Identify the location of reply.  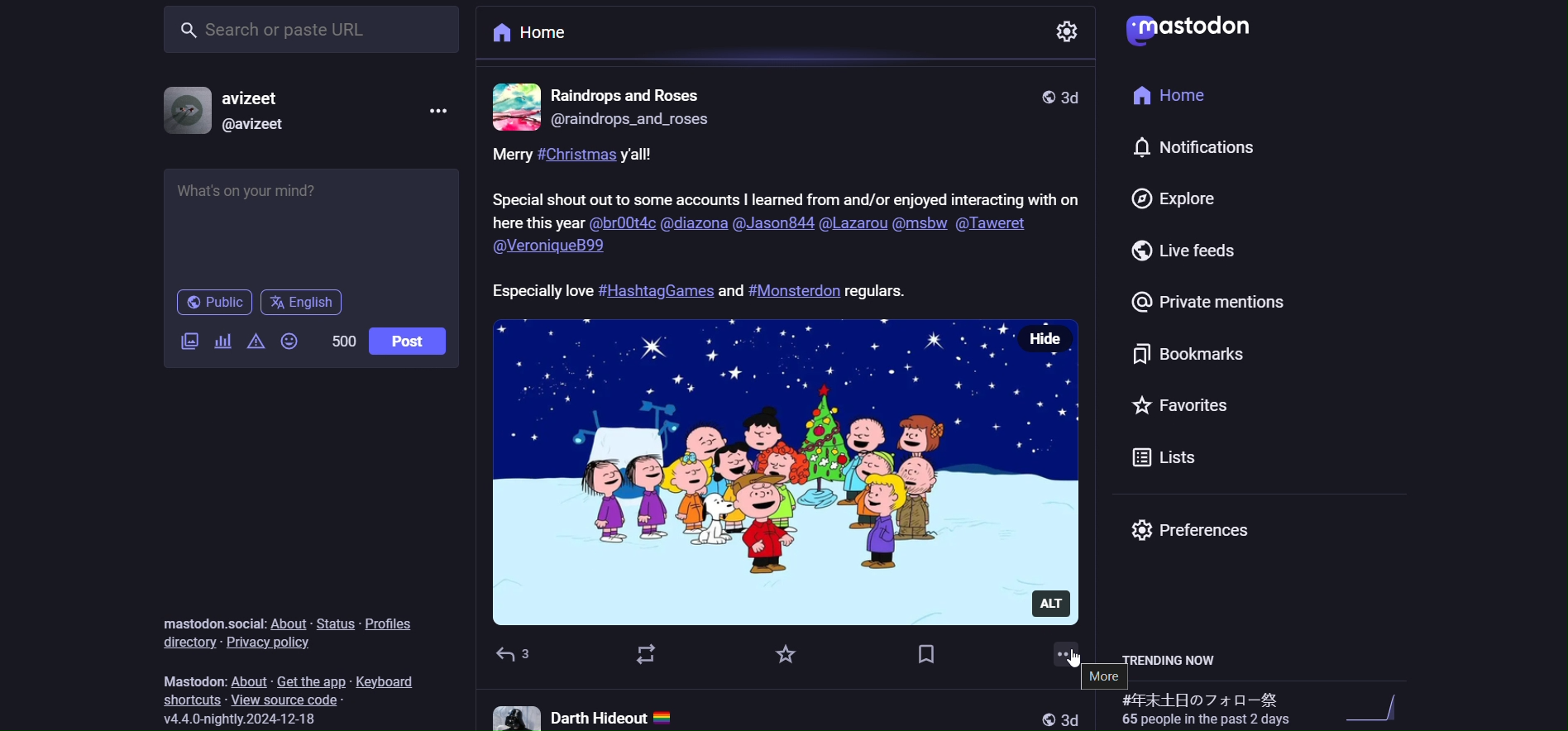
(513, 655).